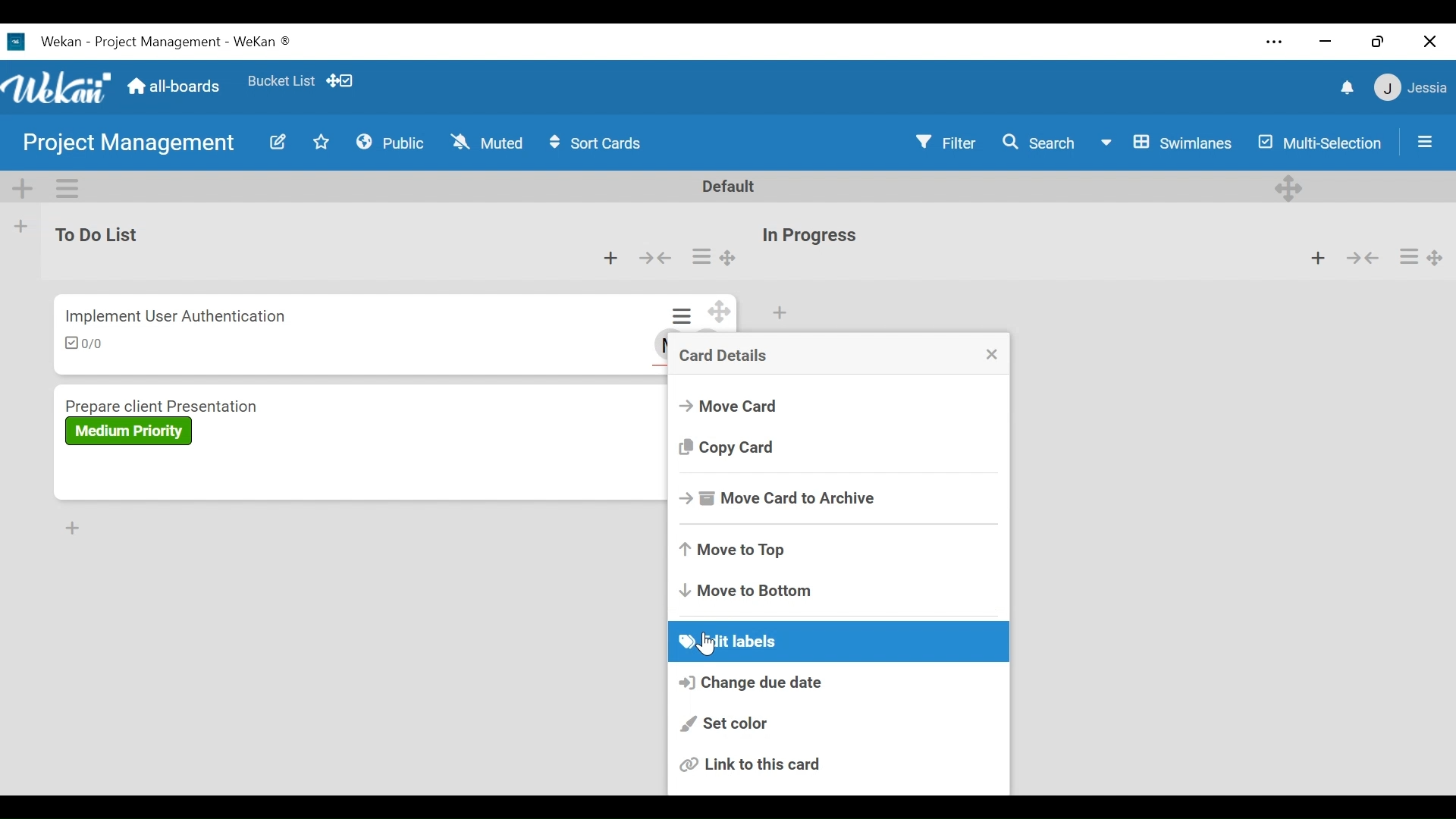  Describe the element at coordinates (281, 78) in the screenshot. I see `Favorites` at that location.